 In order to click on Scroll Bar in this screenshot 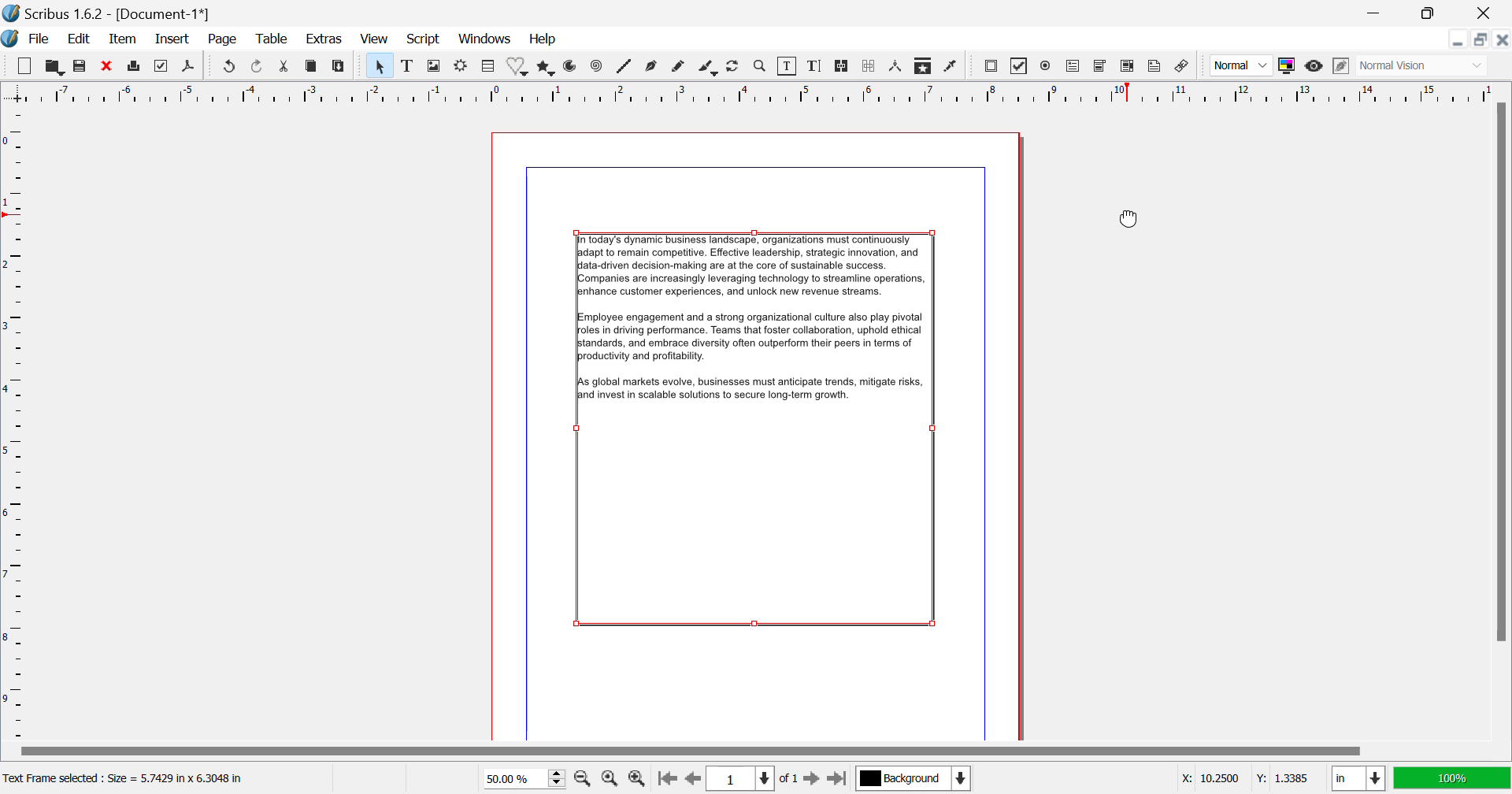, I will do `click(765, 750)`.